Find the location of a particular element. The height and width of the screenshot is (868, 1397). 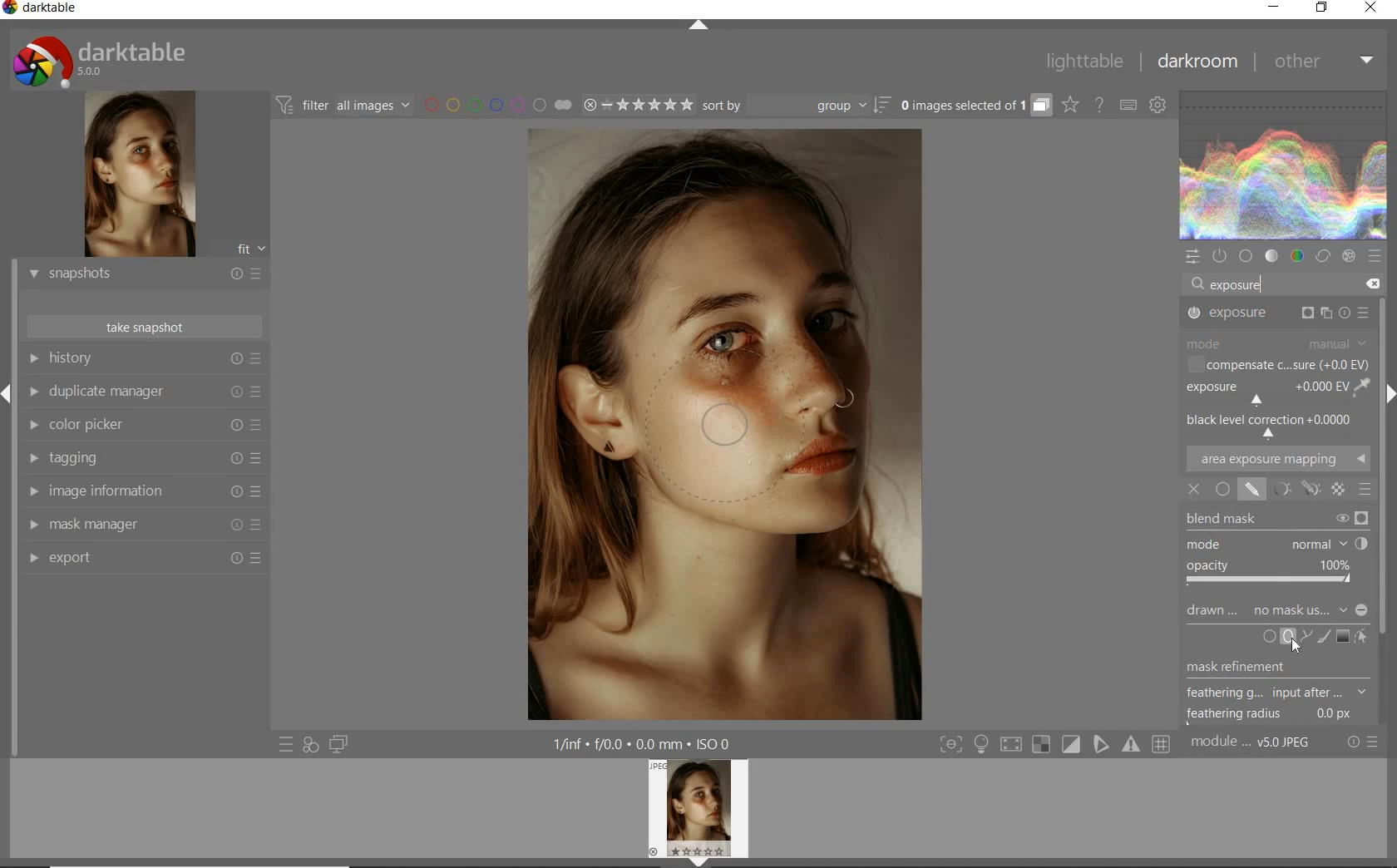

EXPOSURE is located at coordinates (1278, 315).